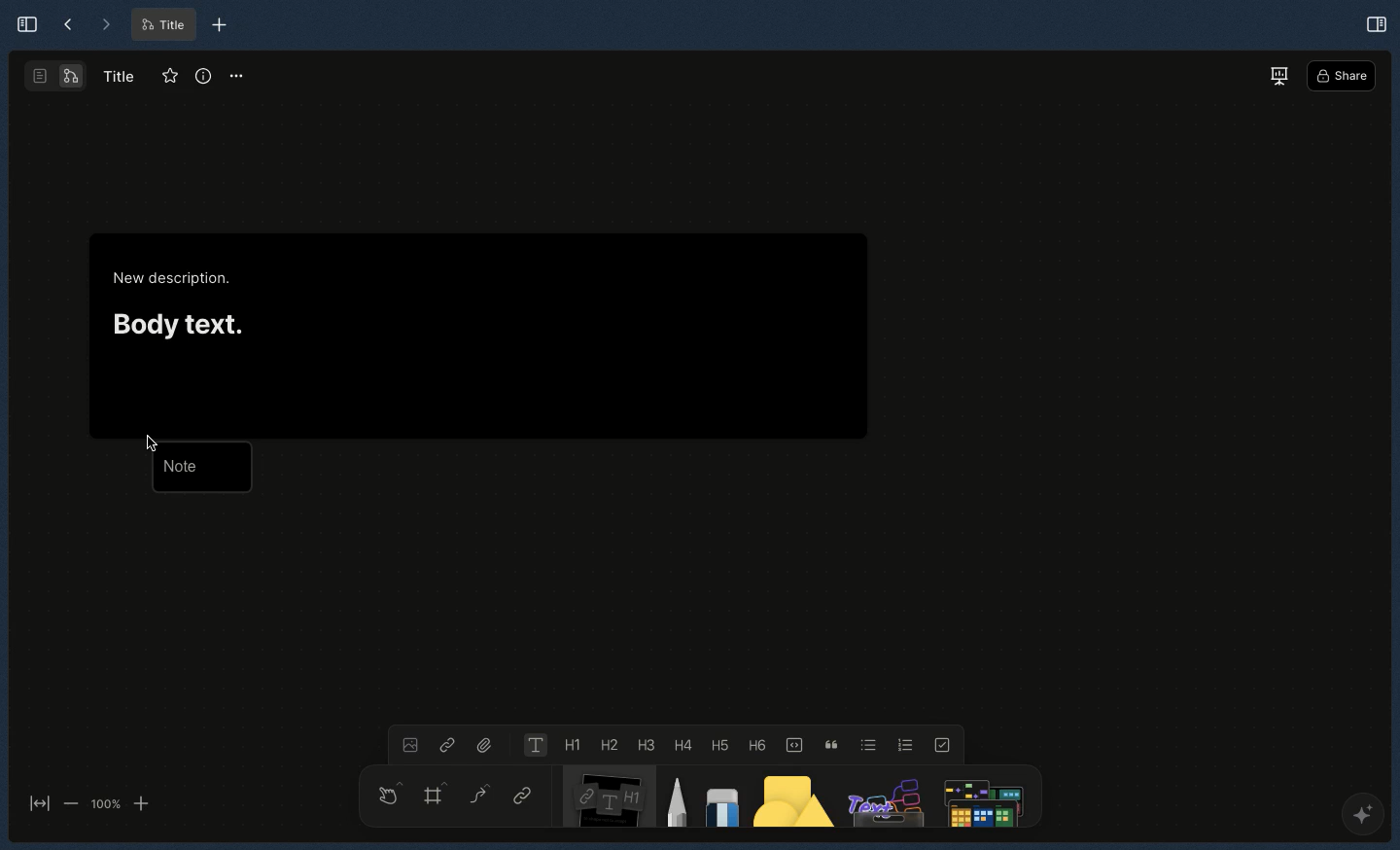  I want to click on To-do list, so click(945, 744).